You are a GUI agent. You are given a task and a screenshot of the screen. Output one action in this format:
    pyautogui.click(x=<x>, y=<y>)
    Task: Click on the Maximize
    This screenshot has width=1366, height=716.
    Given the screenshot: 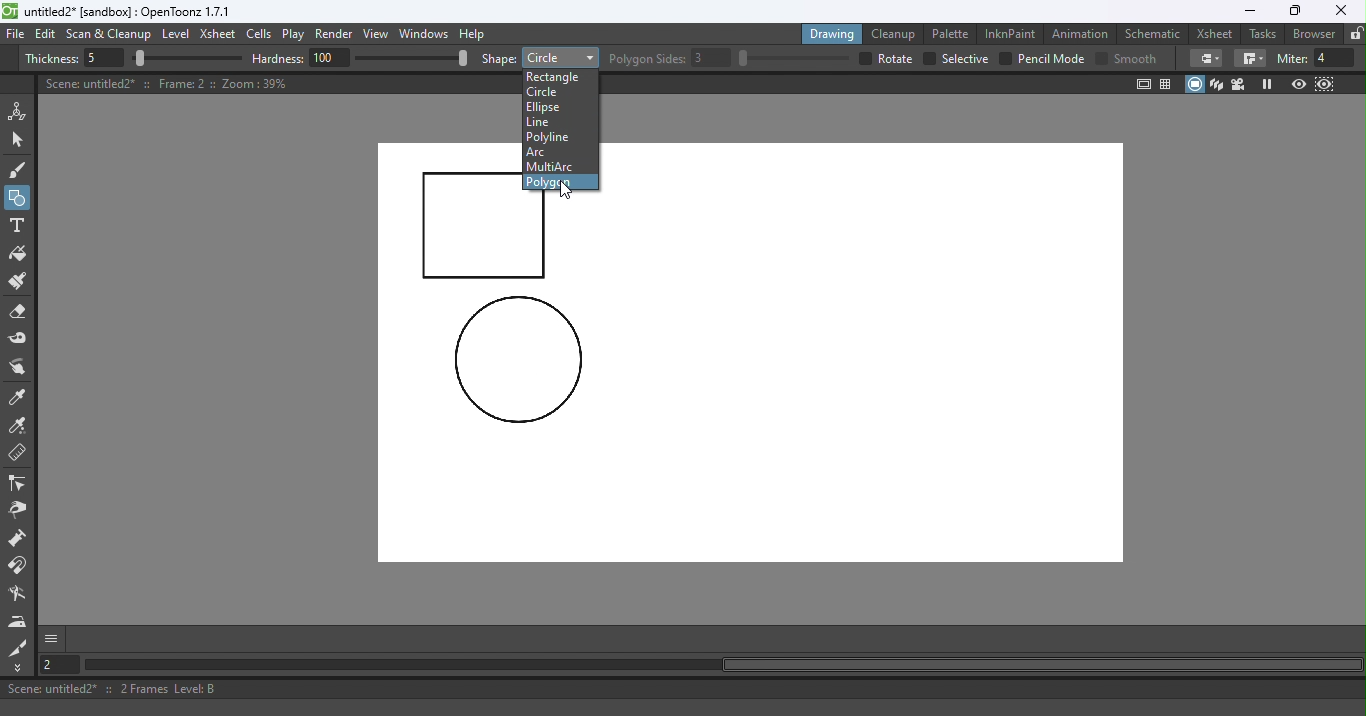 What is the action you would take?
    pyautogui.click(x=1292, y=12)
    